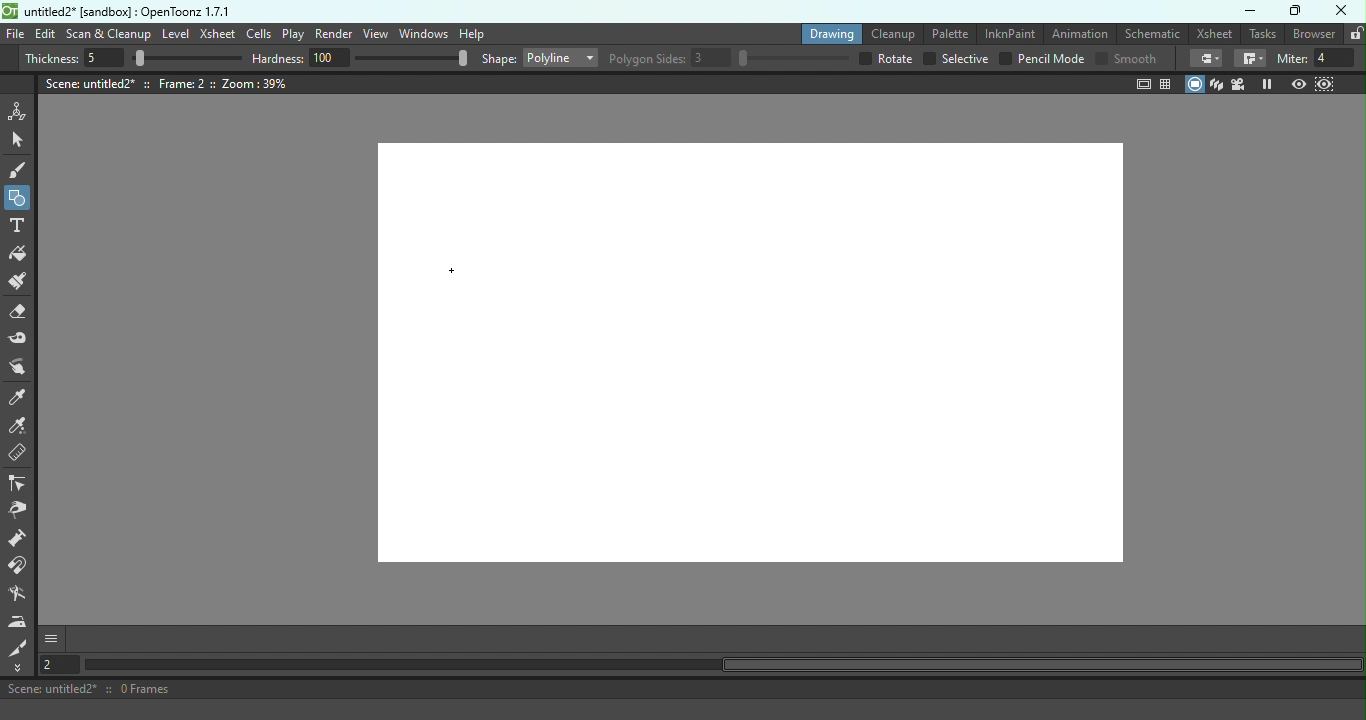  Describe the element at coordinates (20, 484) in the screenshot. I see `Control point editor tool` at that location.